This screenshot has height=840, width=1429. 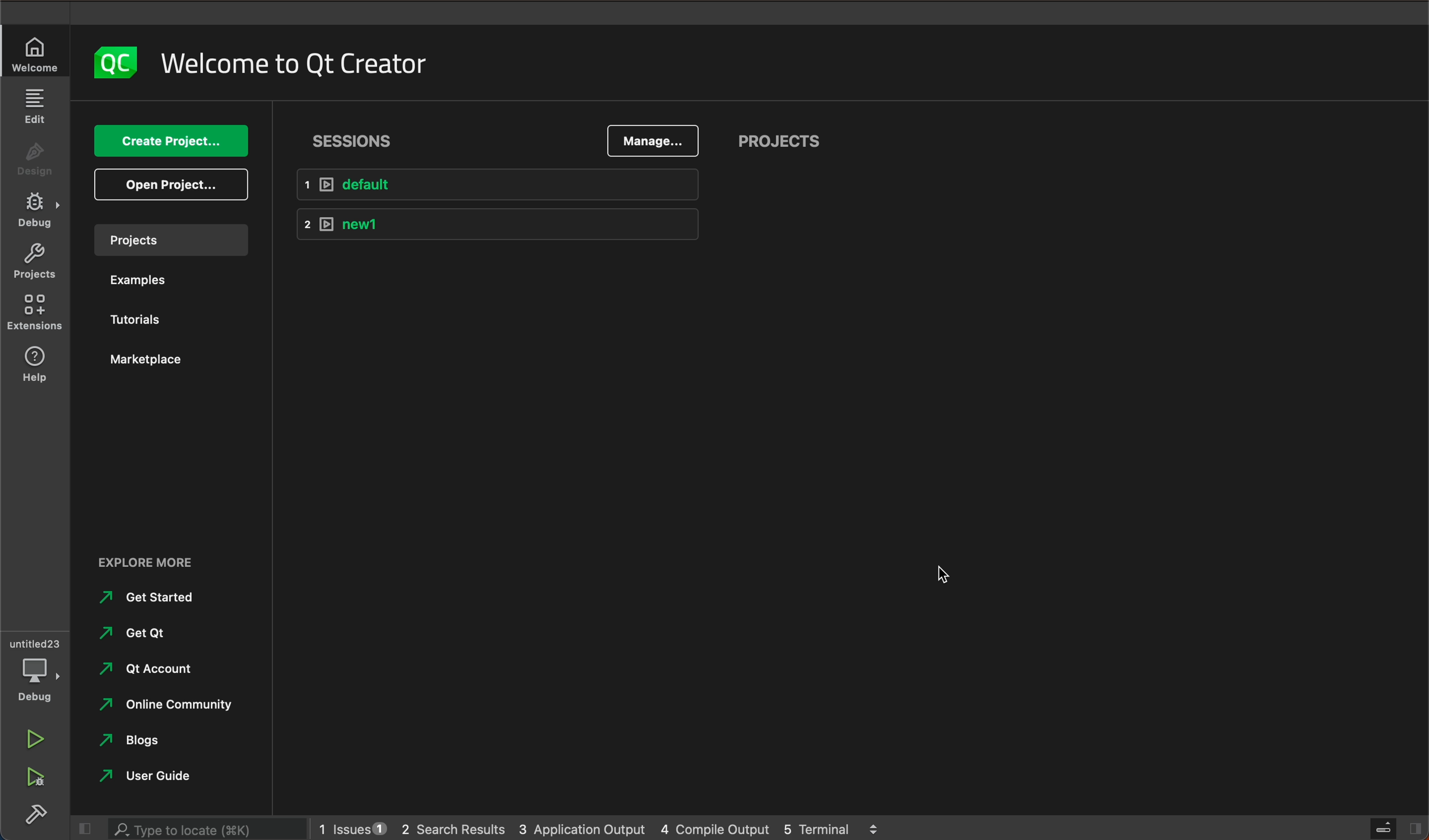 I want to click on examples, so click(x=137, y=283).